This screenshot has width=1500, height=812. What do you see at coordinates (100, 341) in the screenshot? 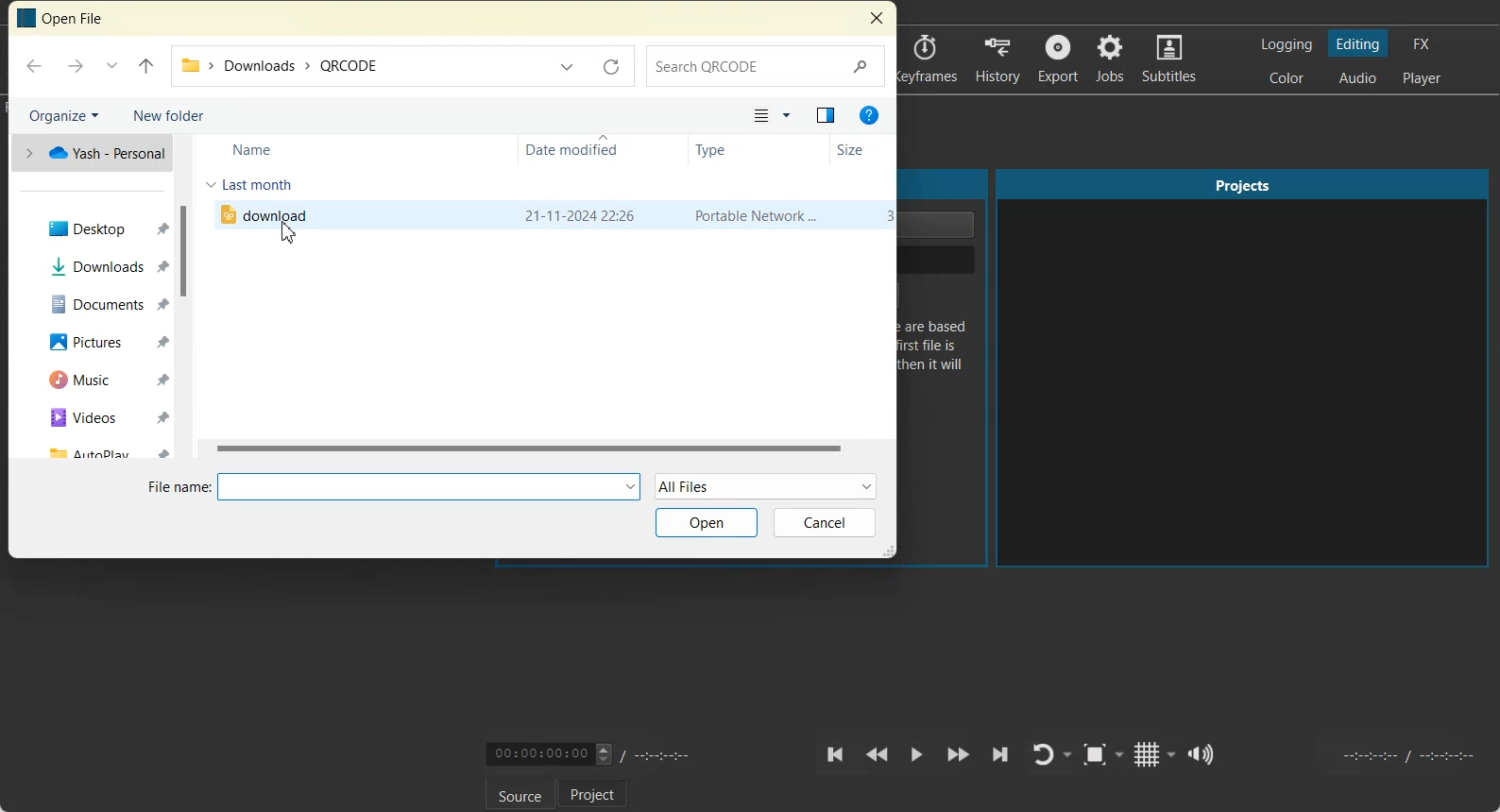
I see `Pictures` at bounding box center [100, 341].